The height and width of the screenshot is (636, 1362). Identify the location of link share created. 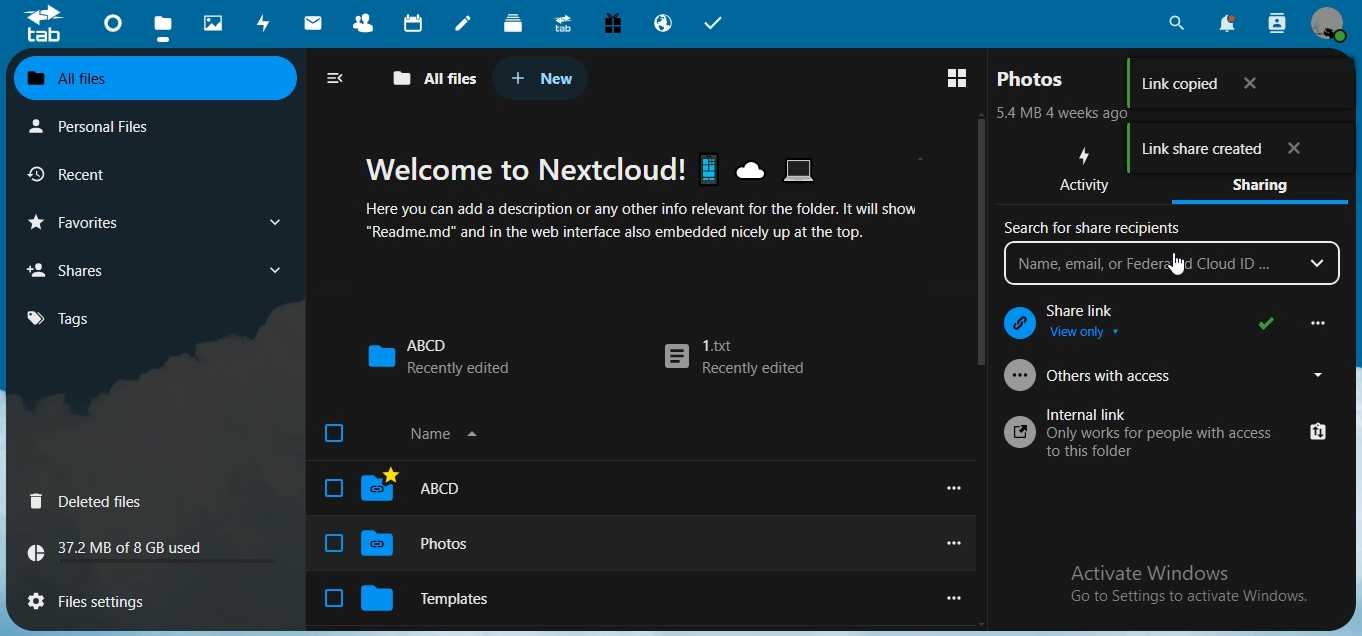
(1239, 151).